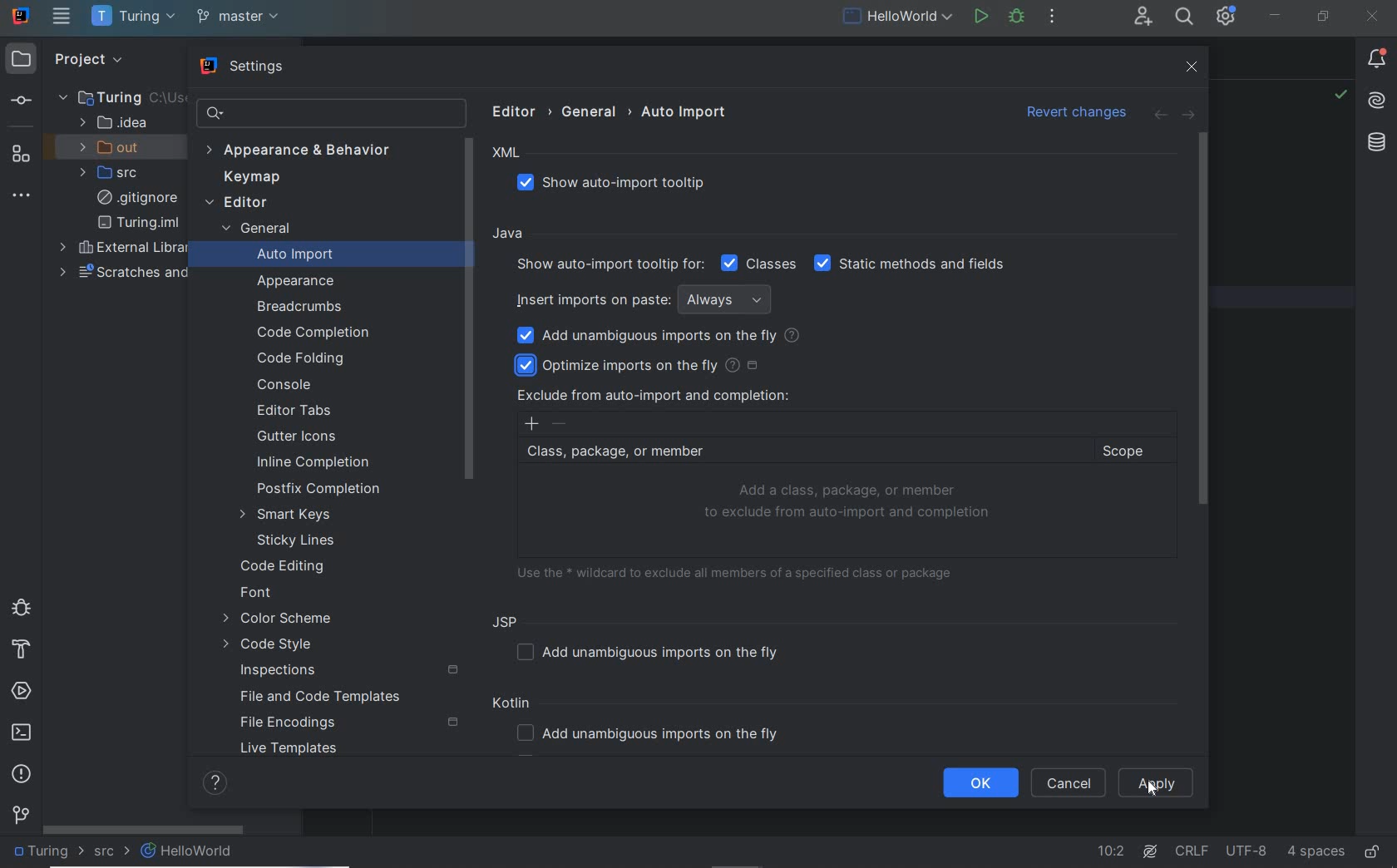 The image size is (1397, 868). Describe the element at coordinates (19, 650) in the screenshot. I see `build` at that location.